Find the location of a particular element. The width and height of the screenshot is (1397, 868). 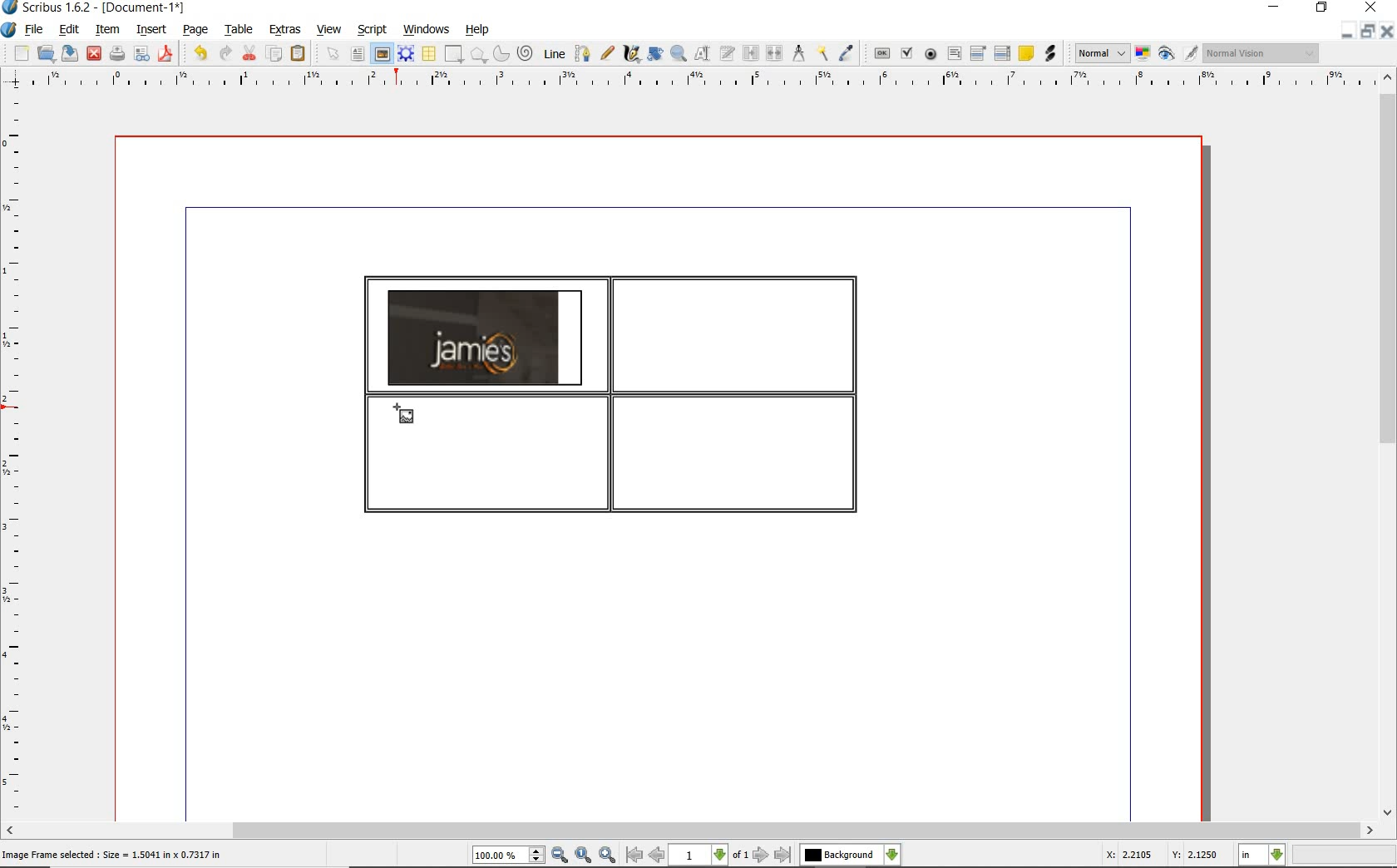

go to first page is located at coordinates (634, 856).